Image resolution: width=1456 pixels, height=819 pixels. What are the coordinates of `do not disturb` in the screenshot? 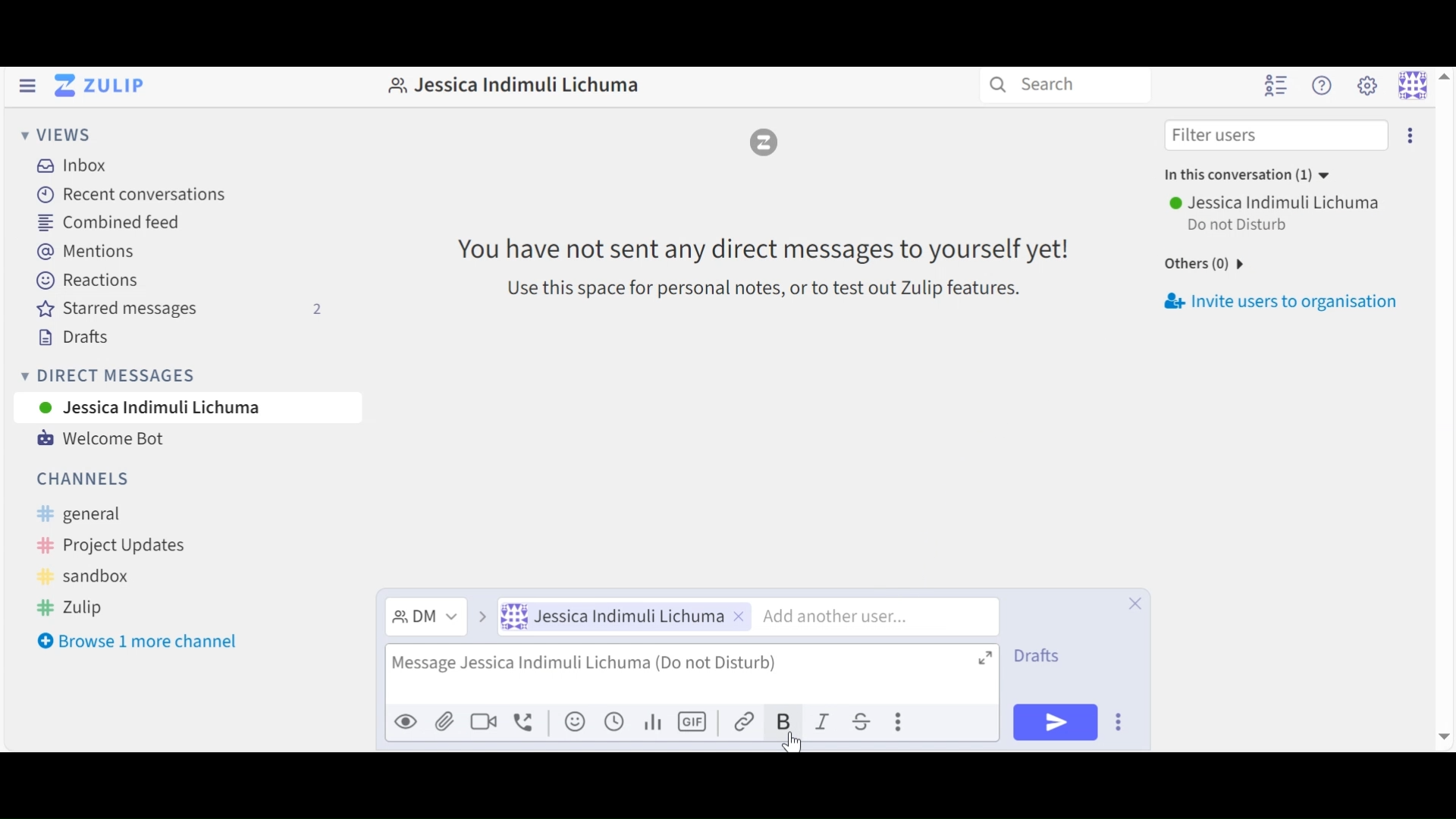 It's located at (1247, 225).